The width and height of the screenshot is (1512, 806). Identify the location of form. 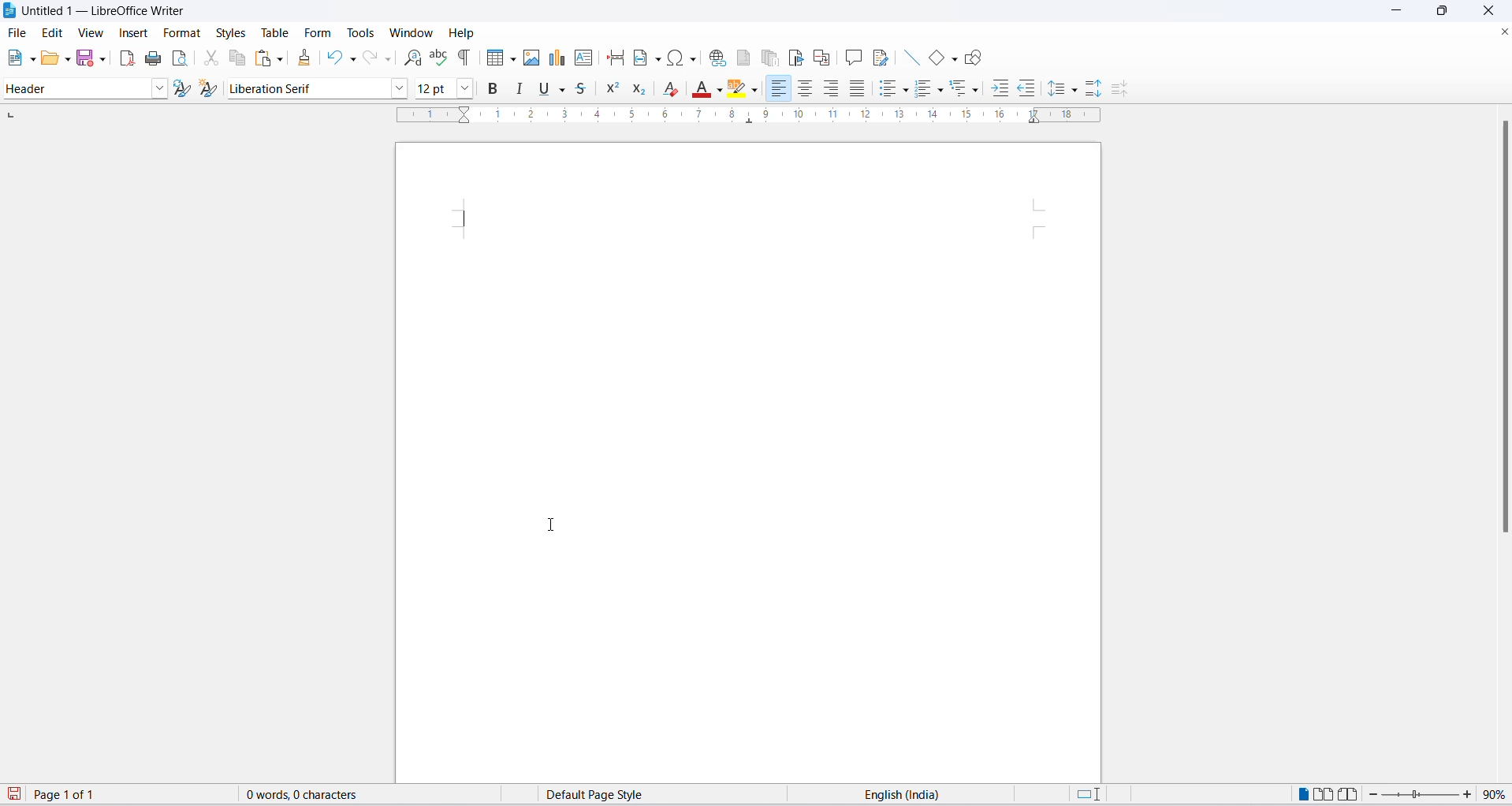
(317, 33).